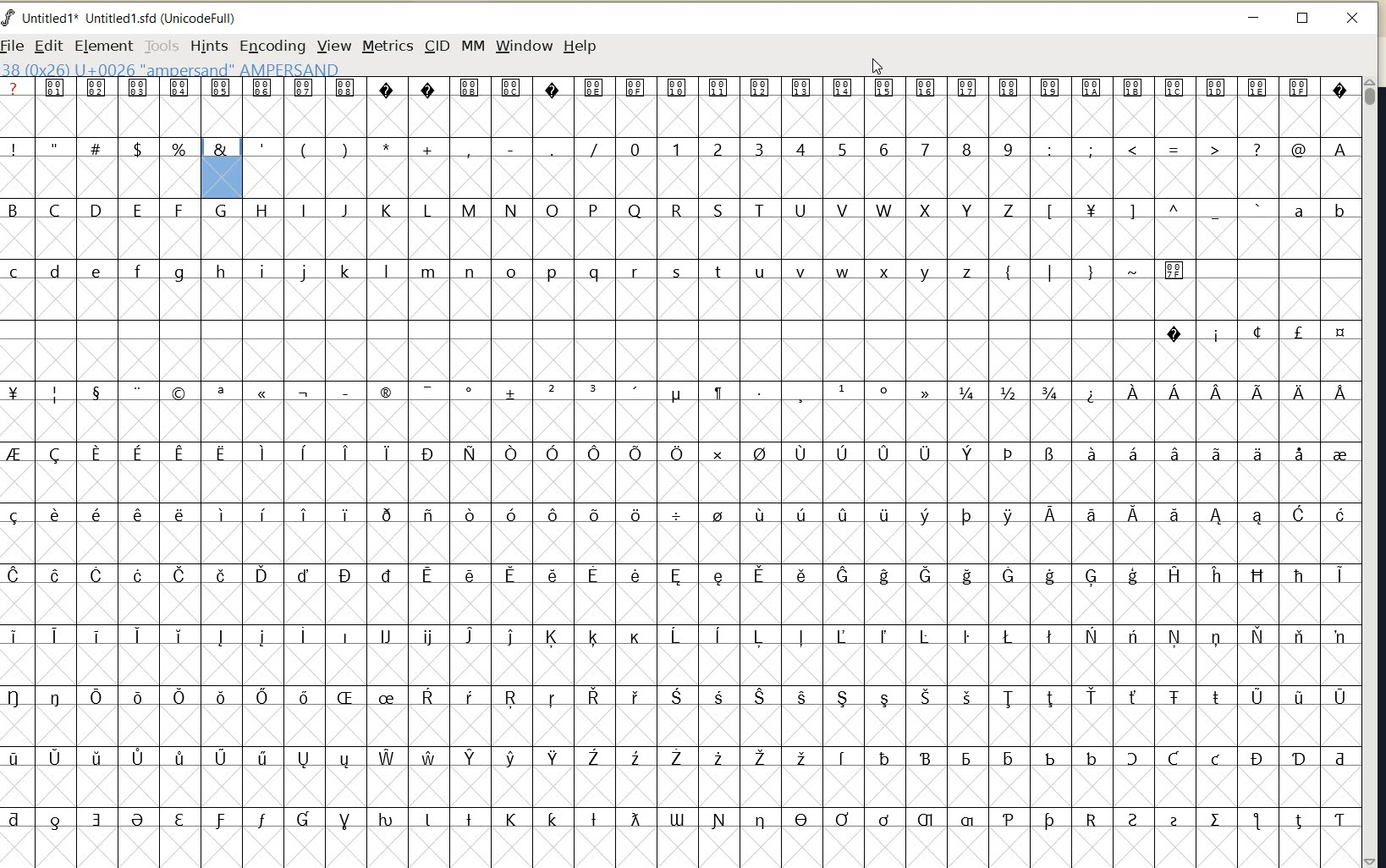 The width and height of the screenshot is (1386, 868). What do you see at coordinates (223, 168) in the screenshot?
I see `glyph selected &` at bounding box center [223, 168].